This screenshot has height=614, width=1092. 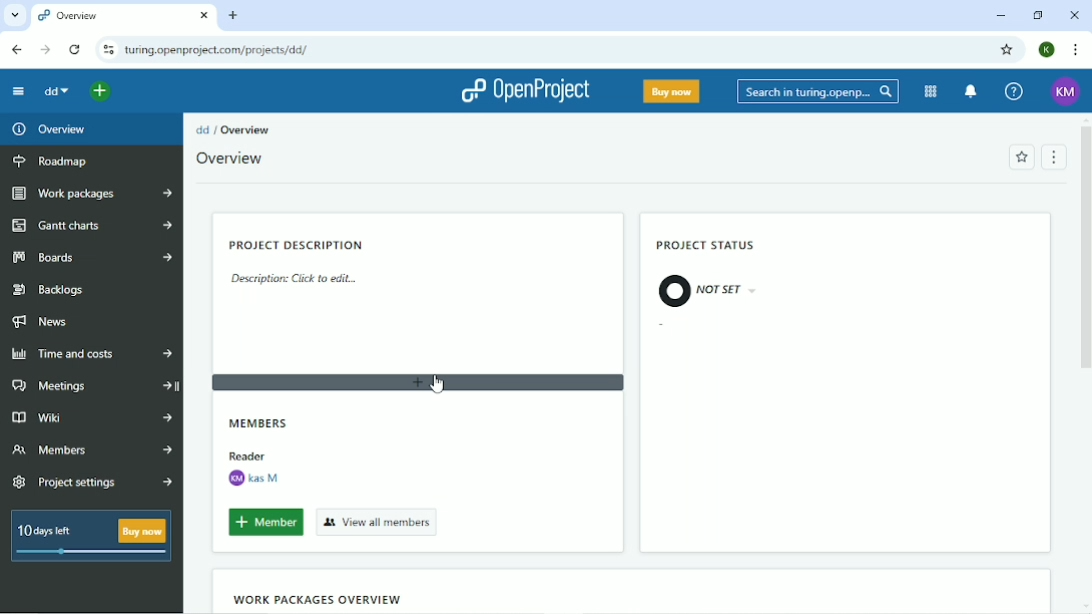 What do you see at coordinates (527, 91) in the screenshot?
I see `OpenProject` at bounding box center [527, 91].